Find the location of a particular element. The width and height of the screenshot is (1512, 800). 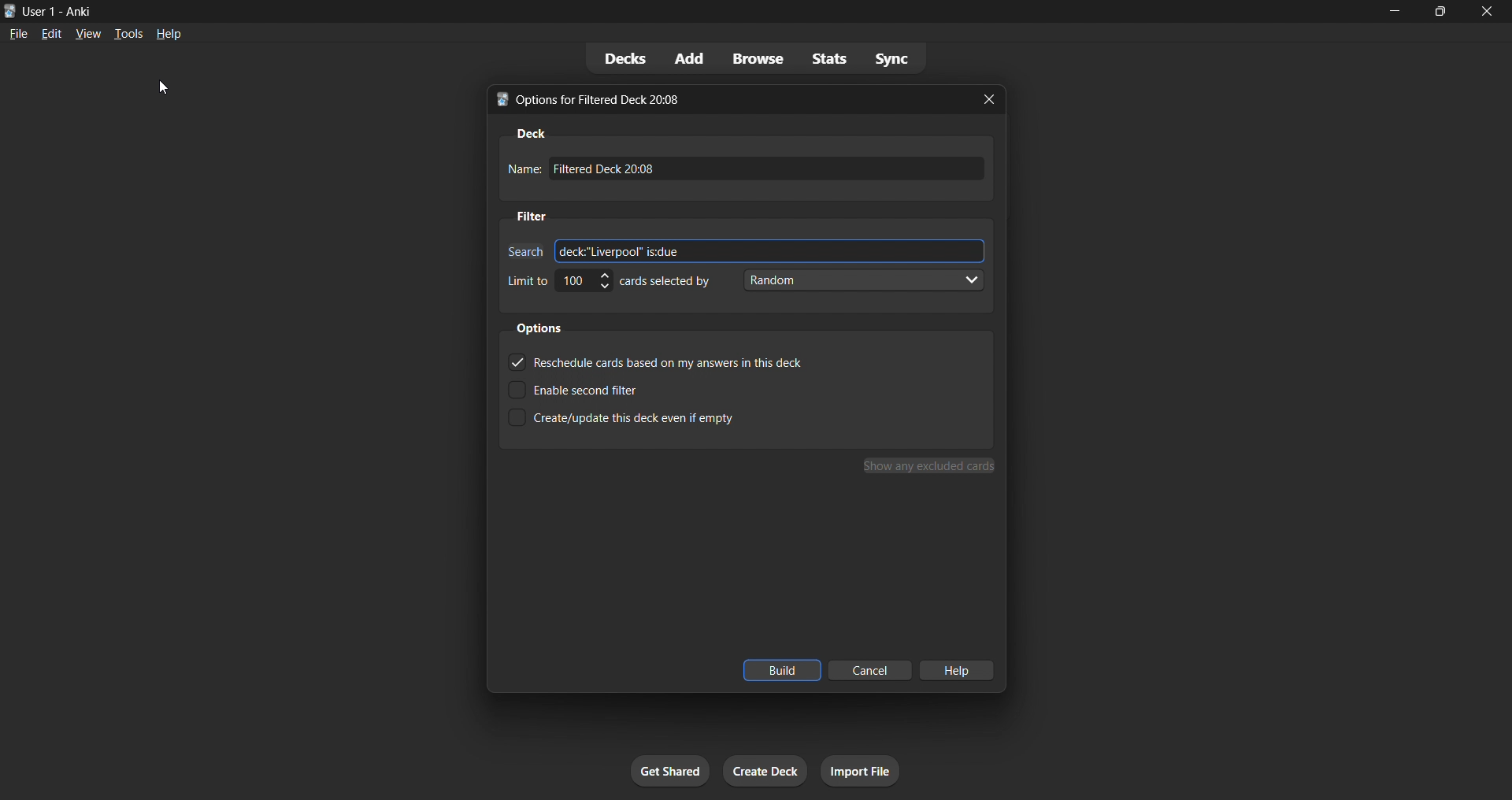

close is located at coordinates (991, 100).